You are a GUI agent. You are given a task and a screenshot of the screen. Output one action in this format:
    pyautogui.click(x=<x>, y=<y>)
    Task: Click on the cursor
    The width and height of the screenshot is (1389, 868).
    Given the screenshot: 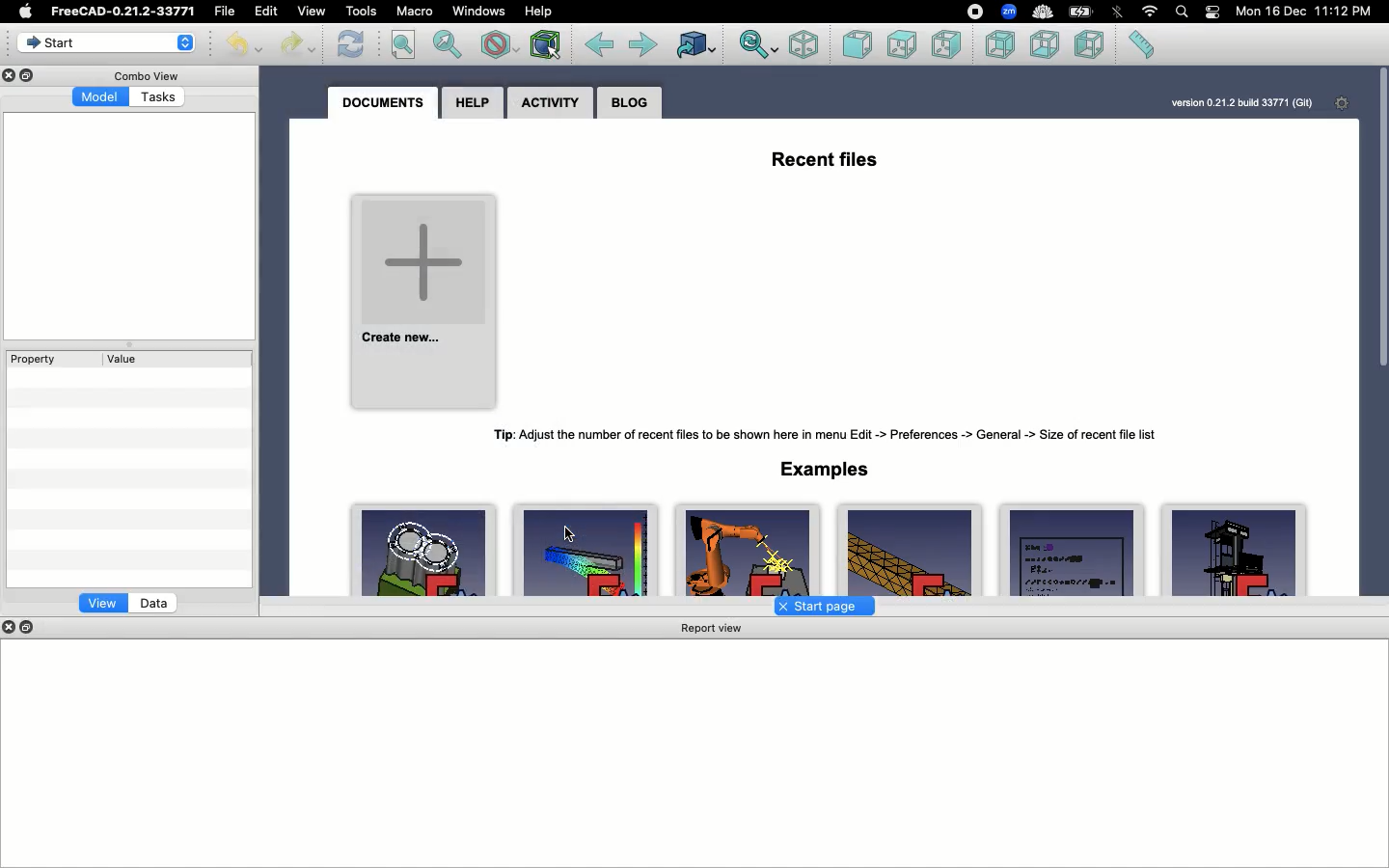 What is the action you would take?
    pyautogui.click(x=571, y=532)
    